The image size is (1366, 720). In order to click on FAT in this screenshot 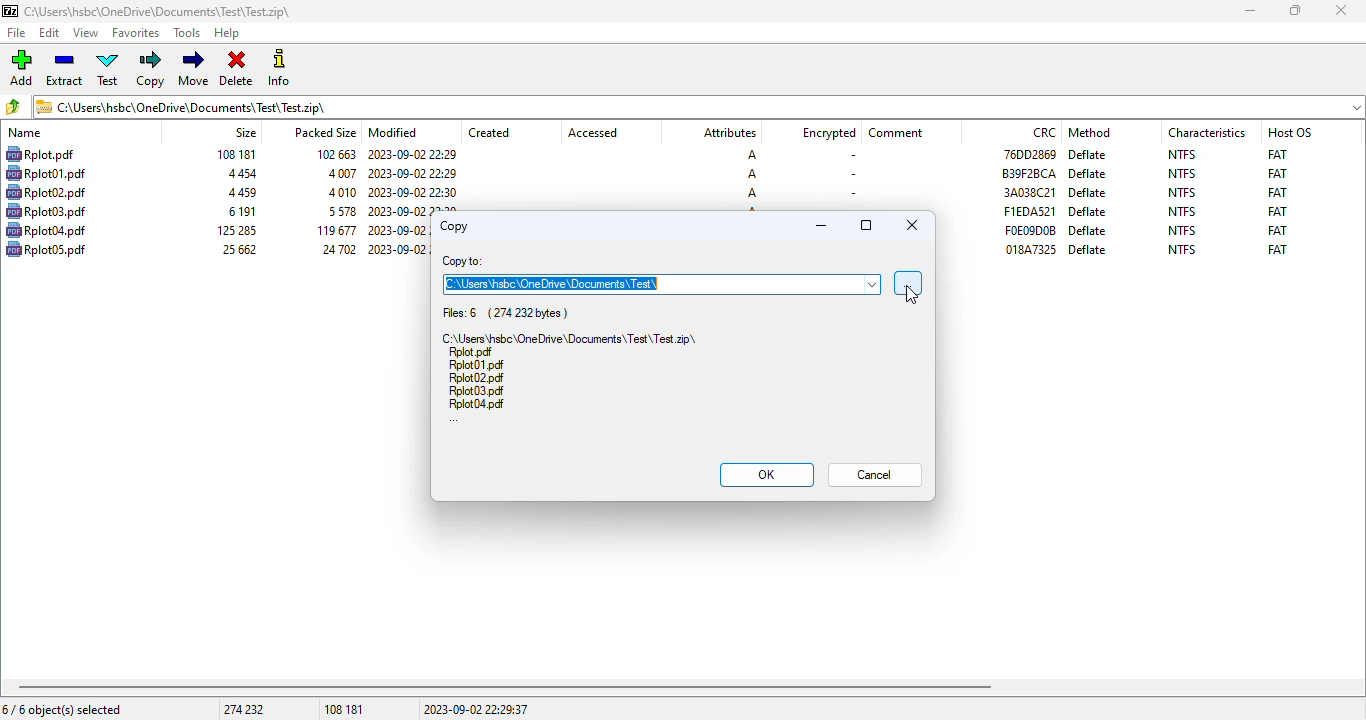, I will do `click(1277, 230)`.